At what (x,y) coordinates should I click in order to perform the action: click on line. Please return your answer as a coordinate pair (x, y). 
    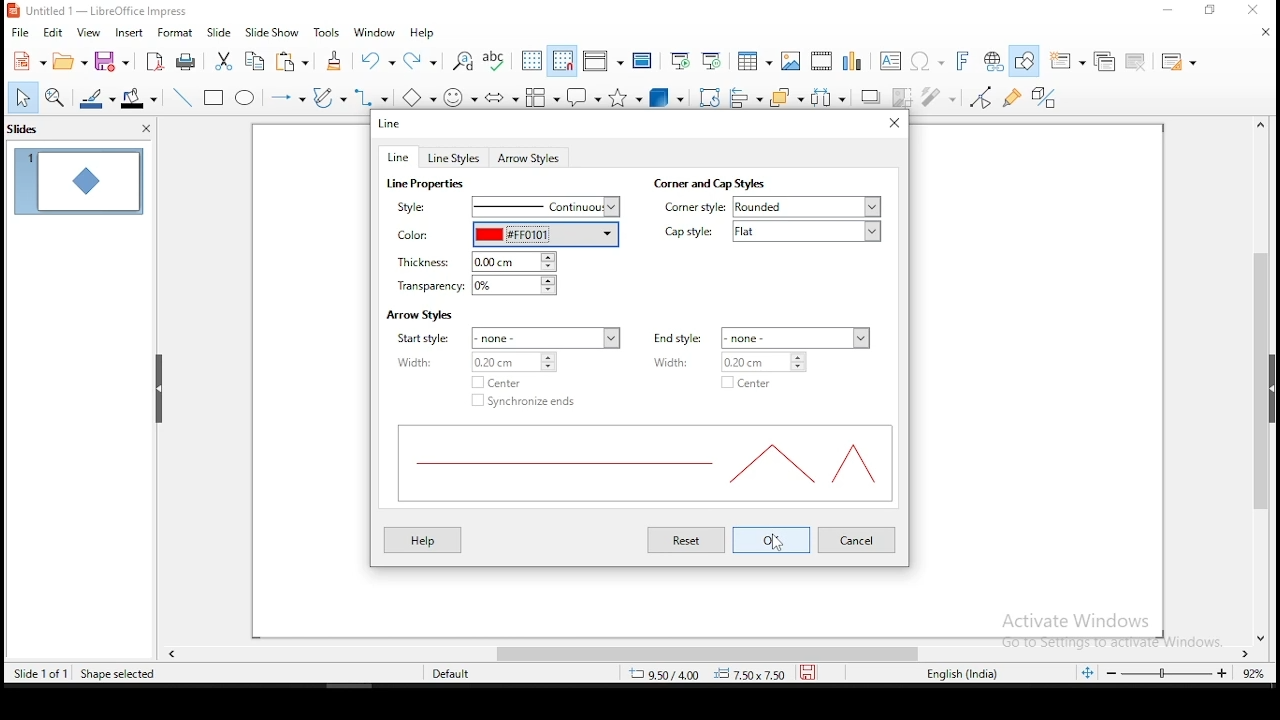
    Looking at the image, I should click on (391, 123).